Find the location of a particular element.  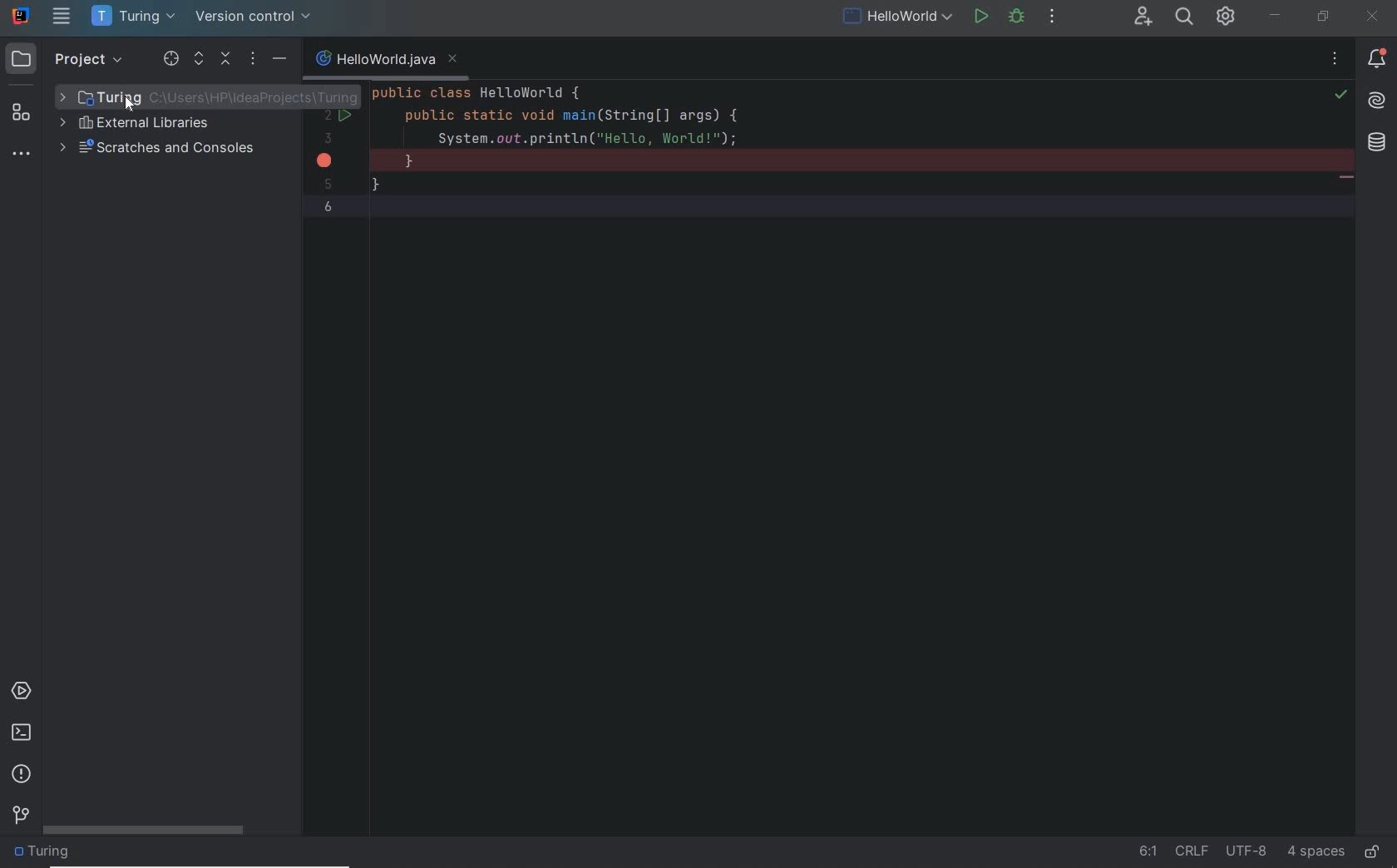

2 is located at coordinates (331, 116).